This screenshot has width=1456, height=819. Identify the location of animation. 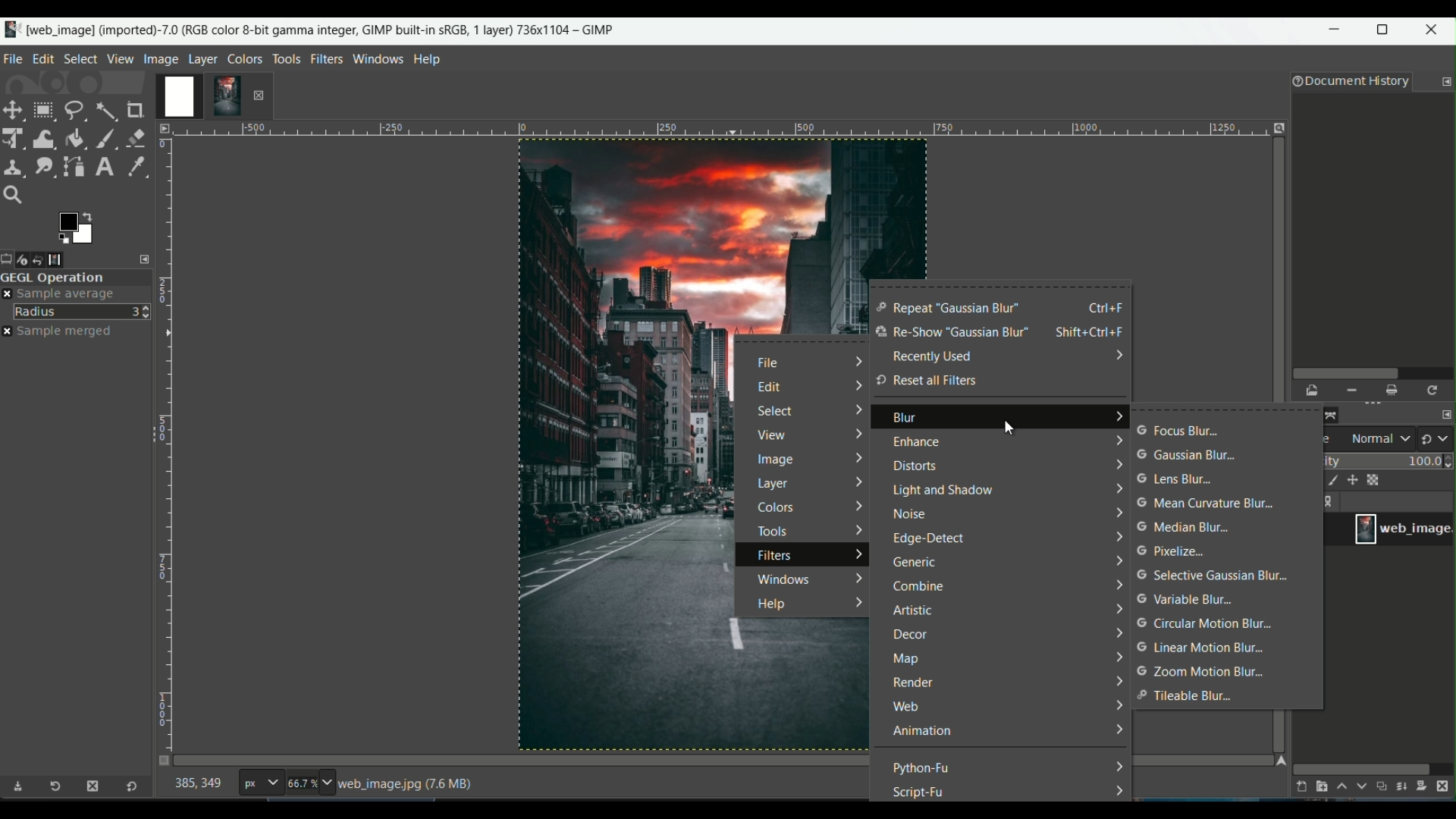
(922, 732).